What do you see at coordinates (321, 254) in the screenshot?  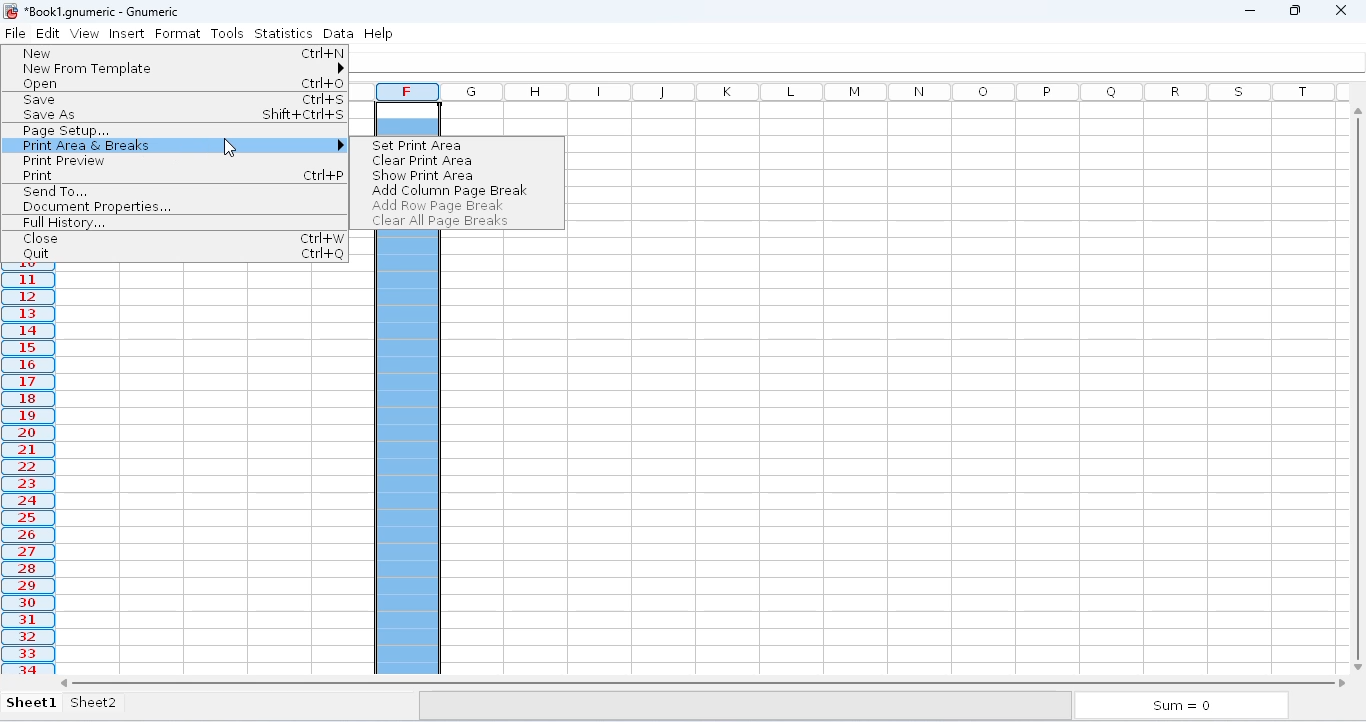 I see `shortcut for quit` at bounding box center [321, 254].